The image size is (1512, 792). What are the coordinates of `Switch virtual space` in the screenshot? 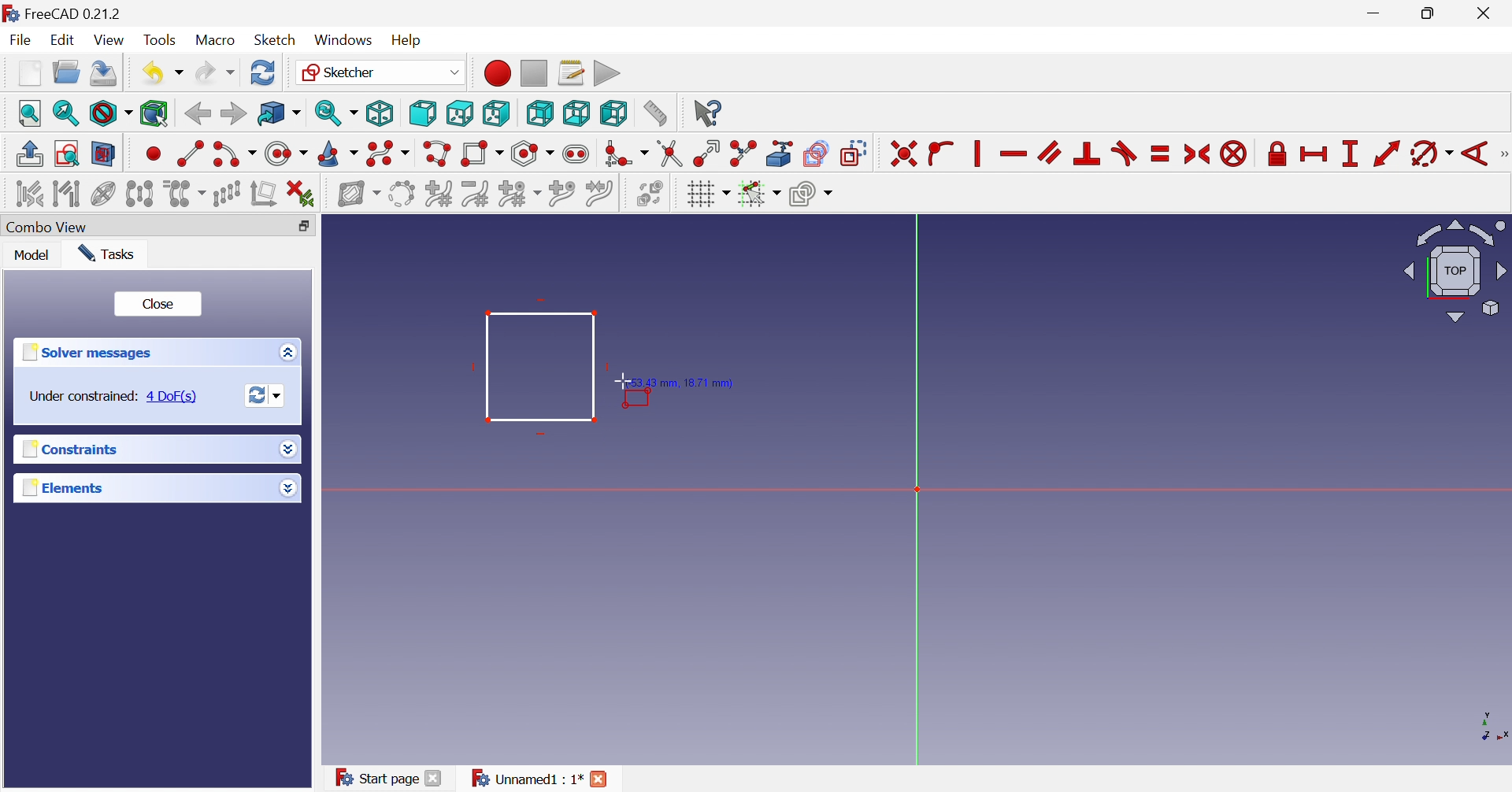 It's located at (650, 193).